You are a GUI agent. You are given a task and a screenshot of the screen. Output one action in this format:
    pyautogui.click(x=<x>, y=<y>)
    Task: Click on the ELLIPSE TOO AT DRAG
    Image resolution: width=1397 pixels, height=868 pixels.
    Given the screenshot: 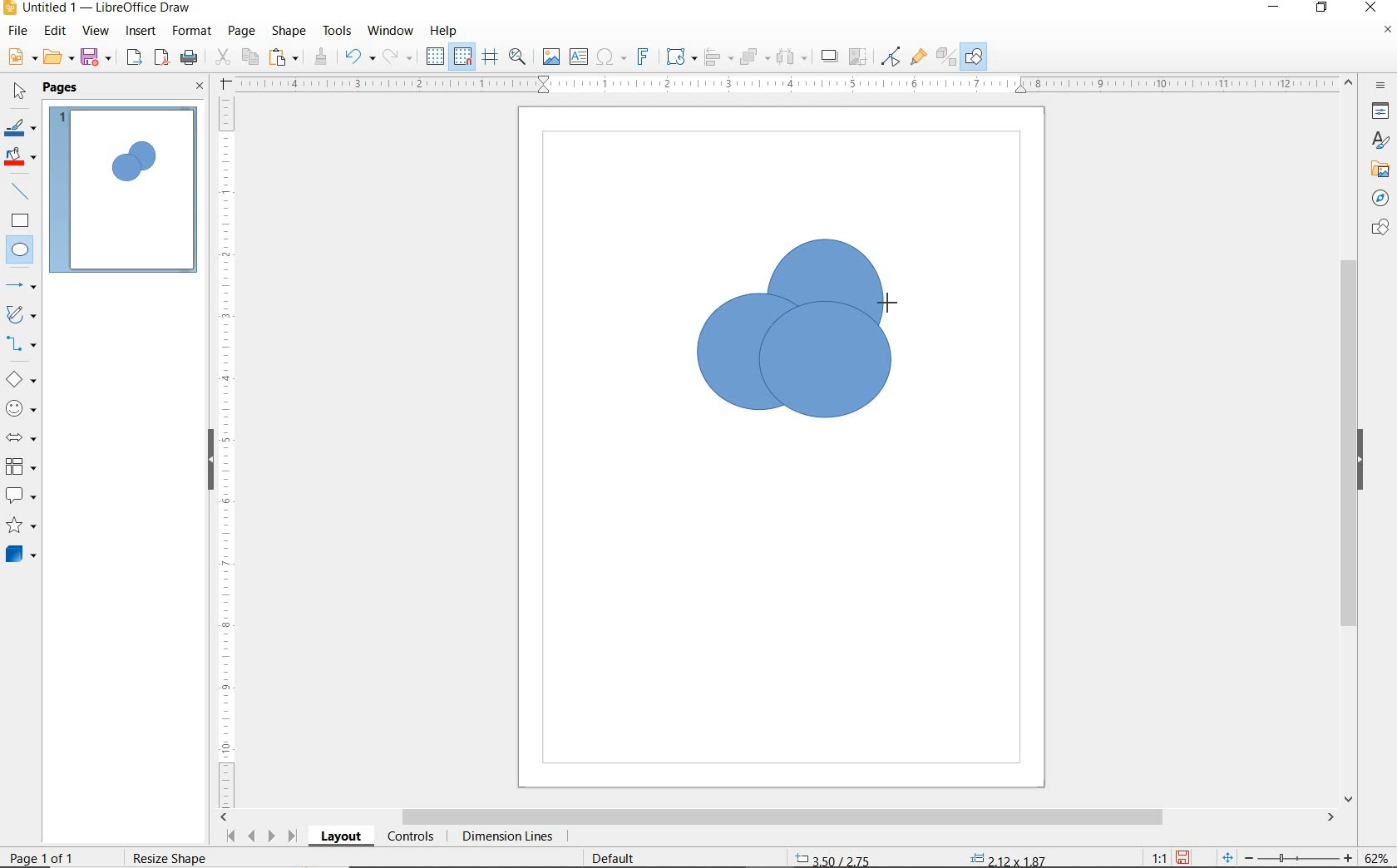 What is the action you would take?
    pyautogui.click(x=881, y=242)
    